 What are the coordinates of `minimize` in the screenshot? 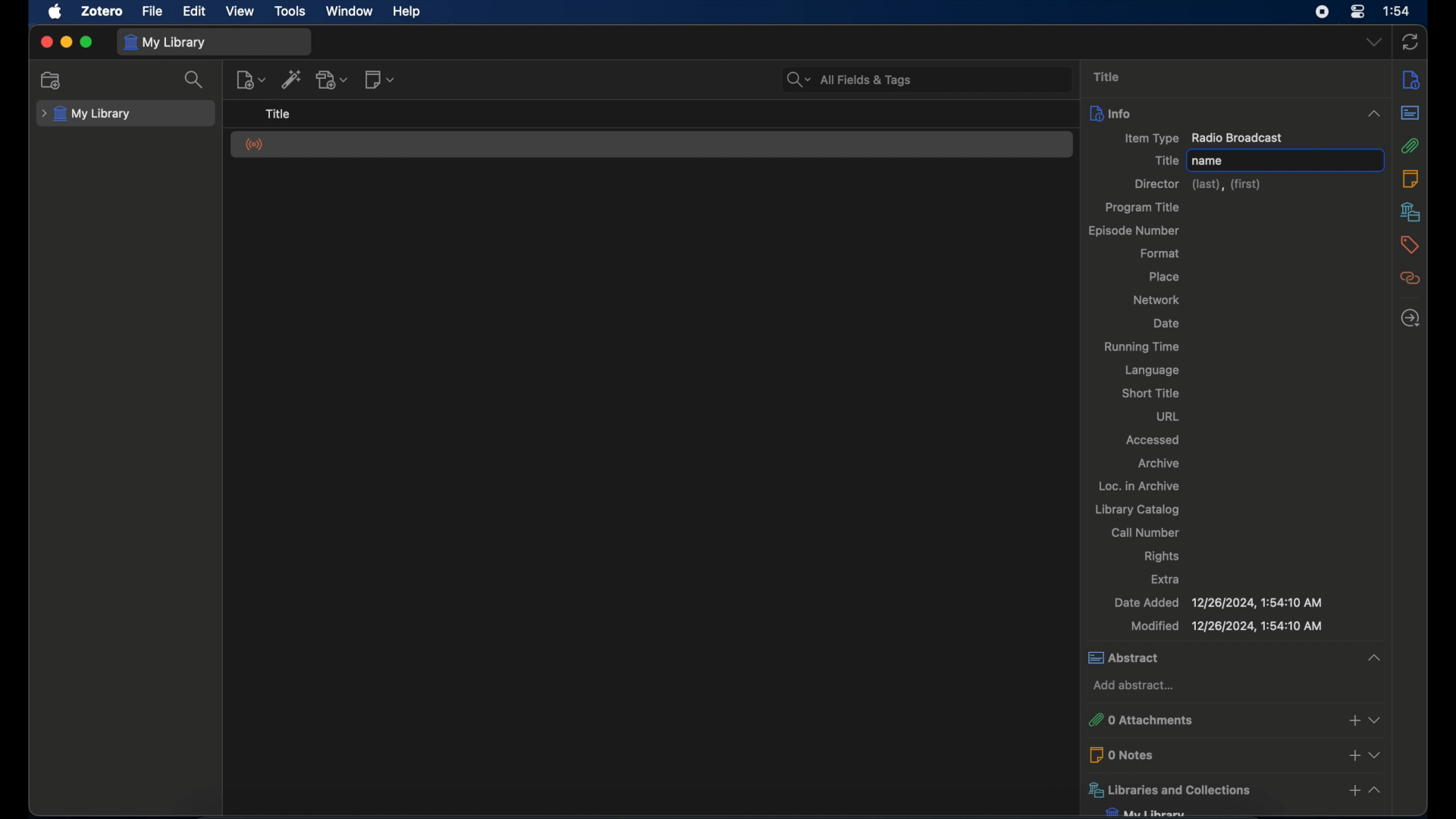 It's located at (67, 42).